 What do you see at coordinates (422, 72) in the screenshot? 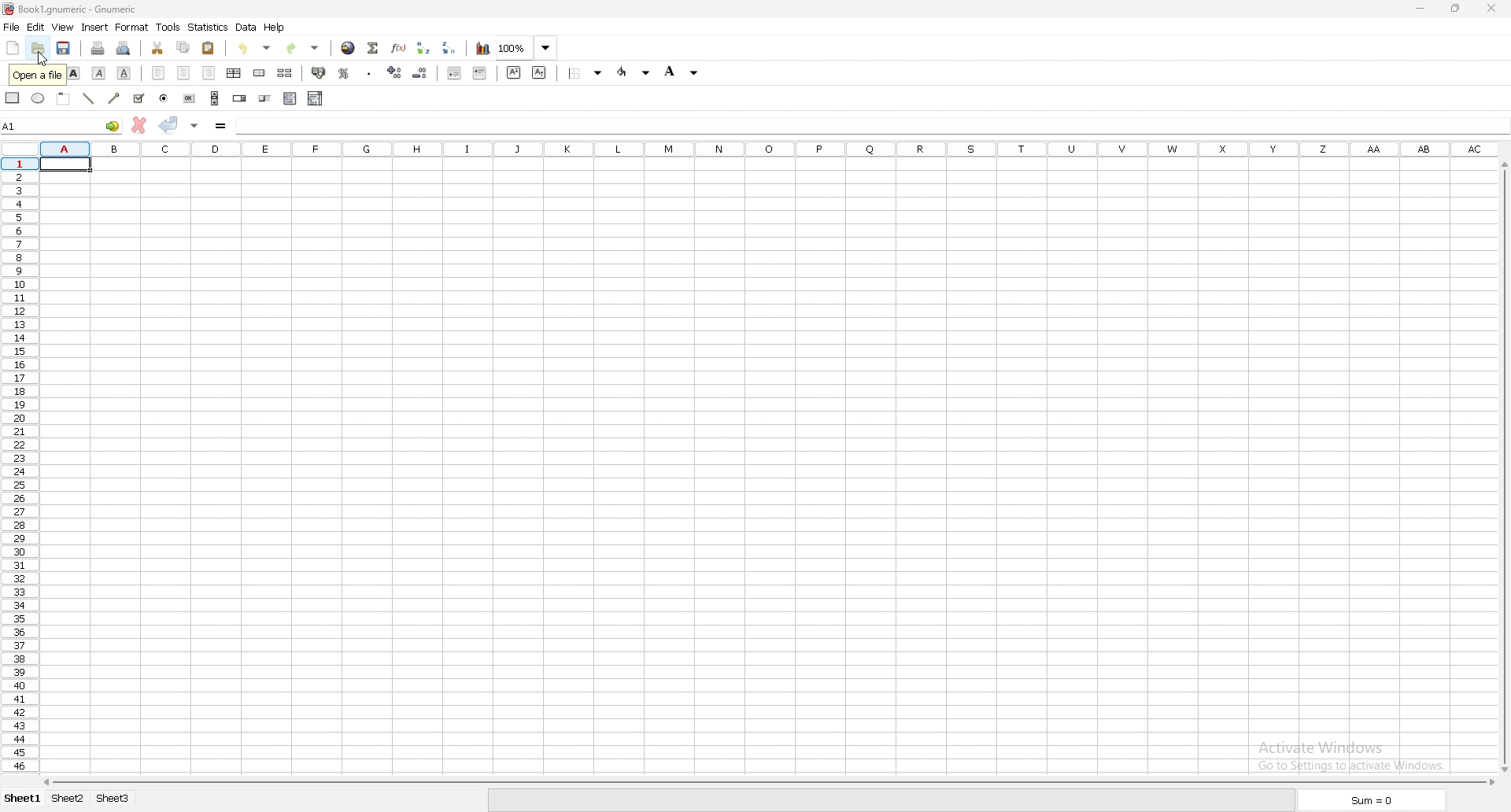
I see `decrease decimals` at bounding box center [422, 72].